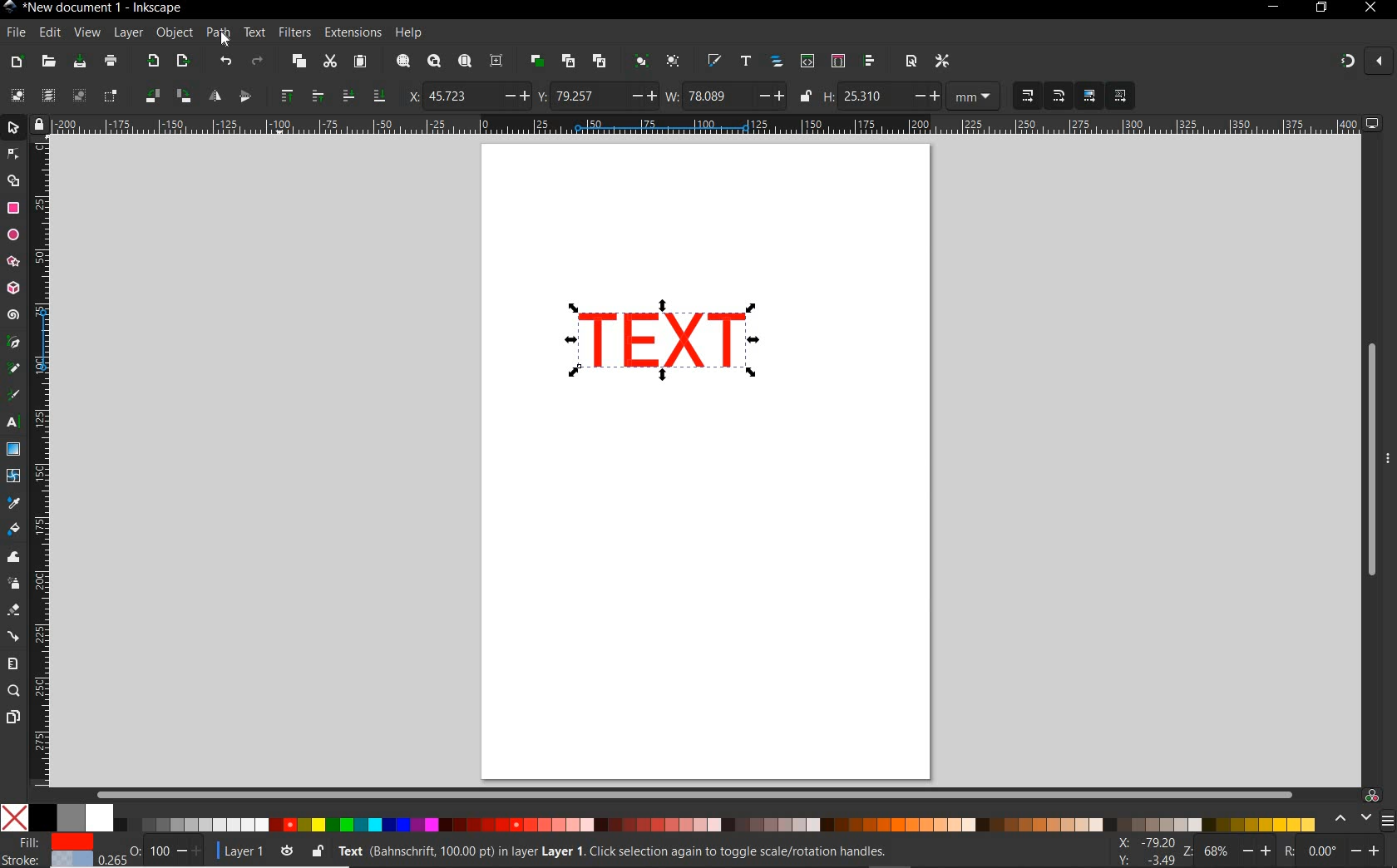 This screenshot has height=868, width=1397. Describe the element at coordinates (14, 692) in the screenshot. I see `ZOOM TOOL` at that location.